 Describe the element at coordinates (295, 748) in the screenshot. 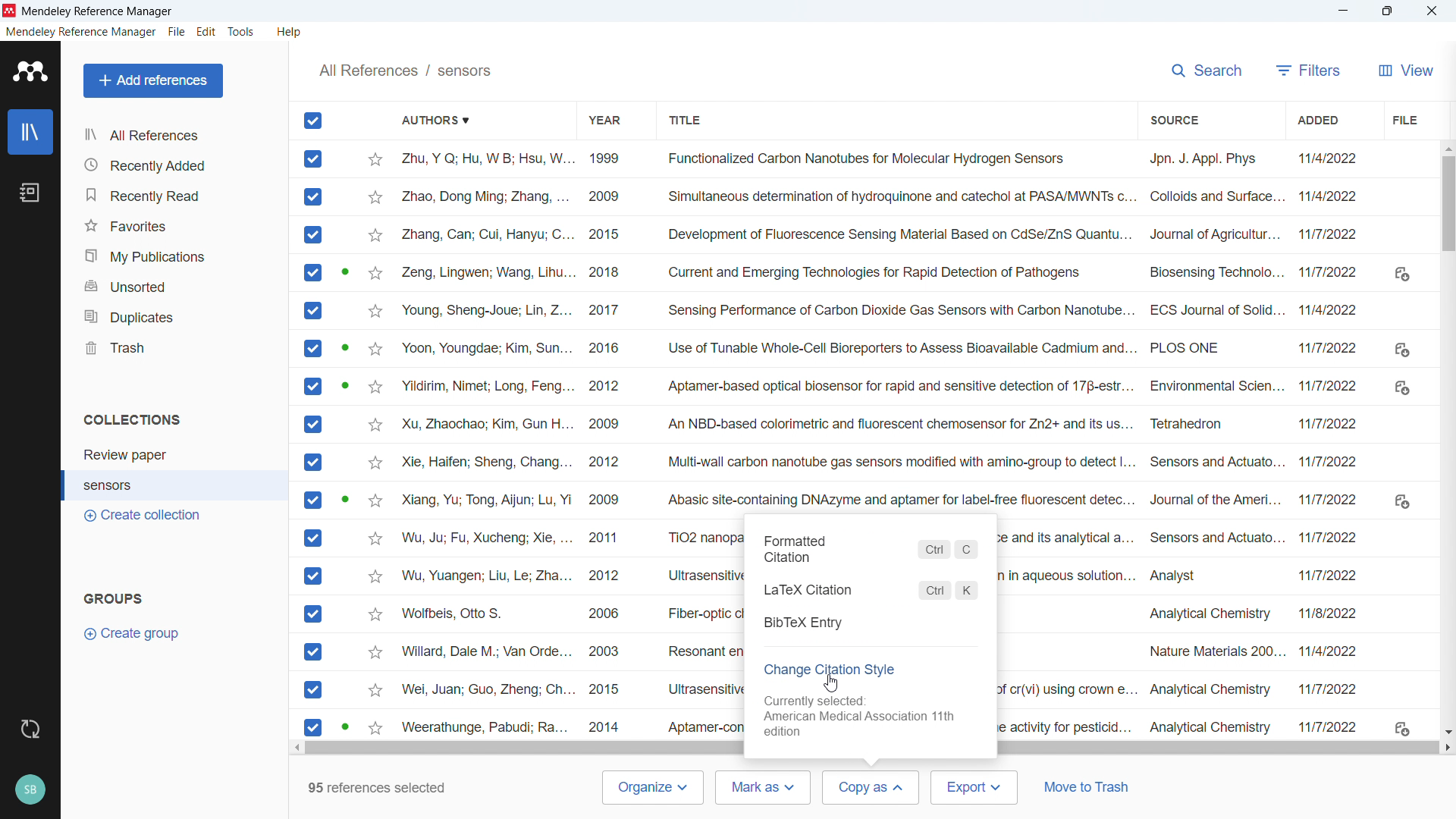

I see `Scroll left` at that location.